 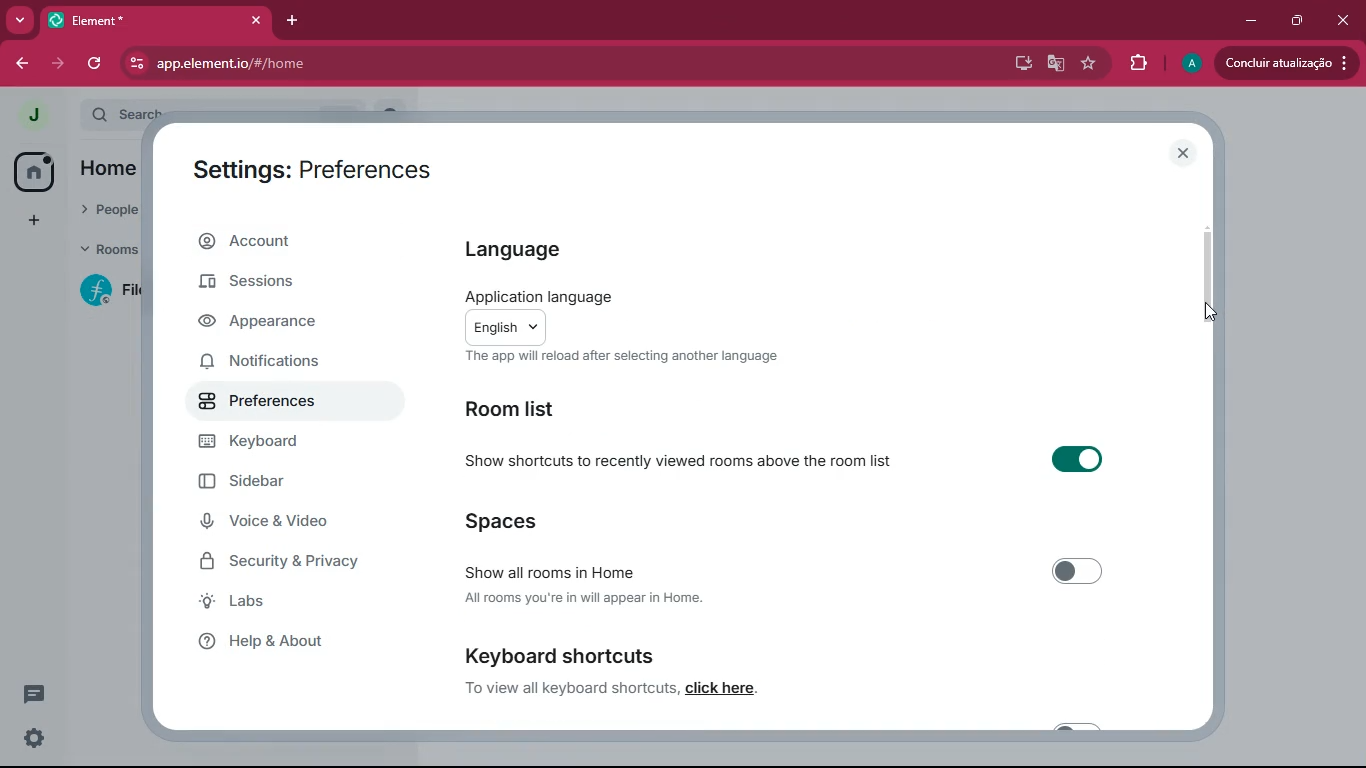 I want to click on appearance, so click(x=279, y=324).